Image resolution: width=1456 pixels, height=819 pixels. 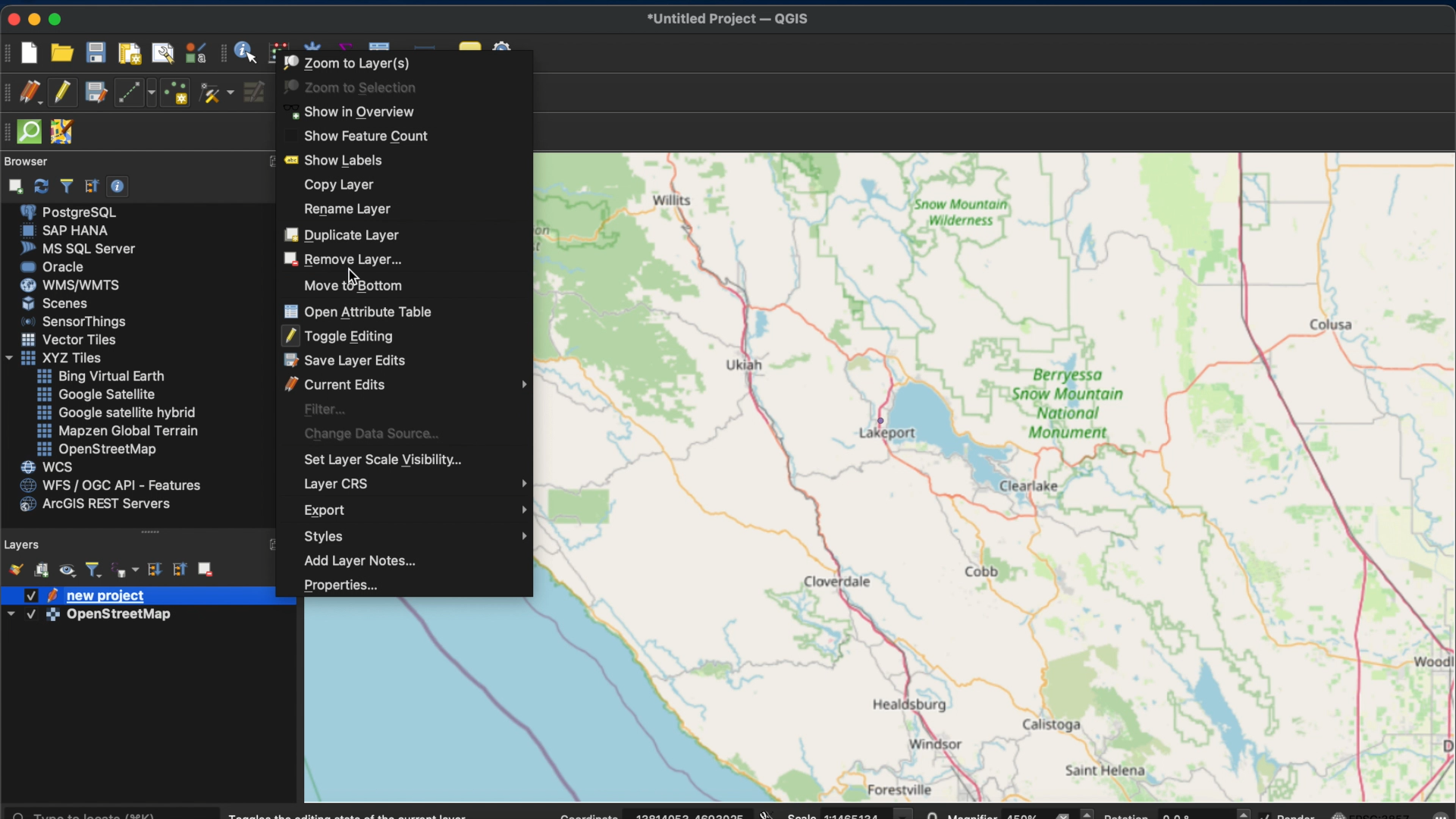 I want to click on open  layer styling panel, so click(x=13, y=568).